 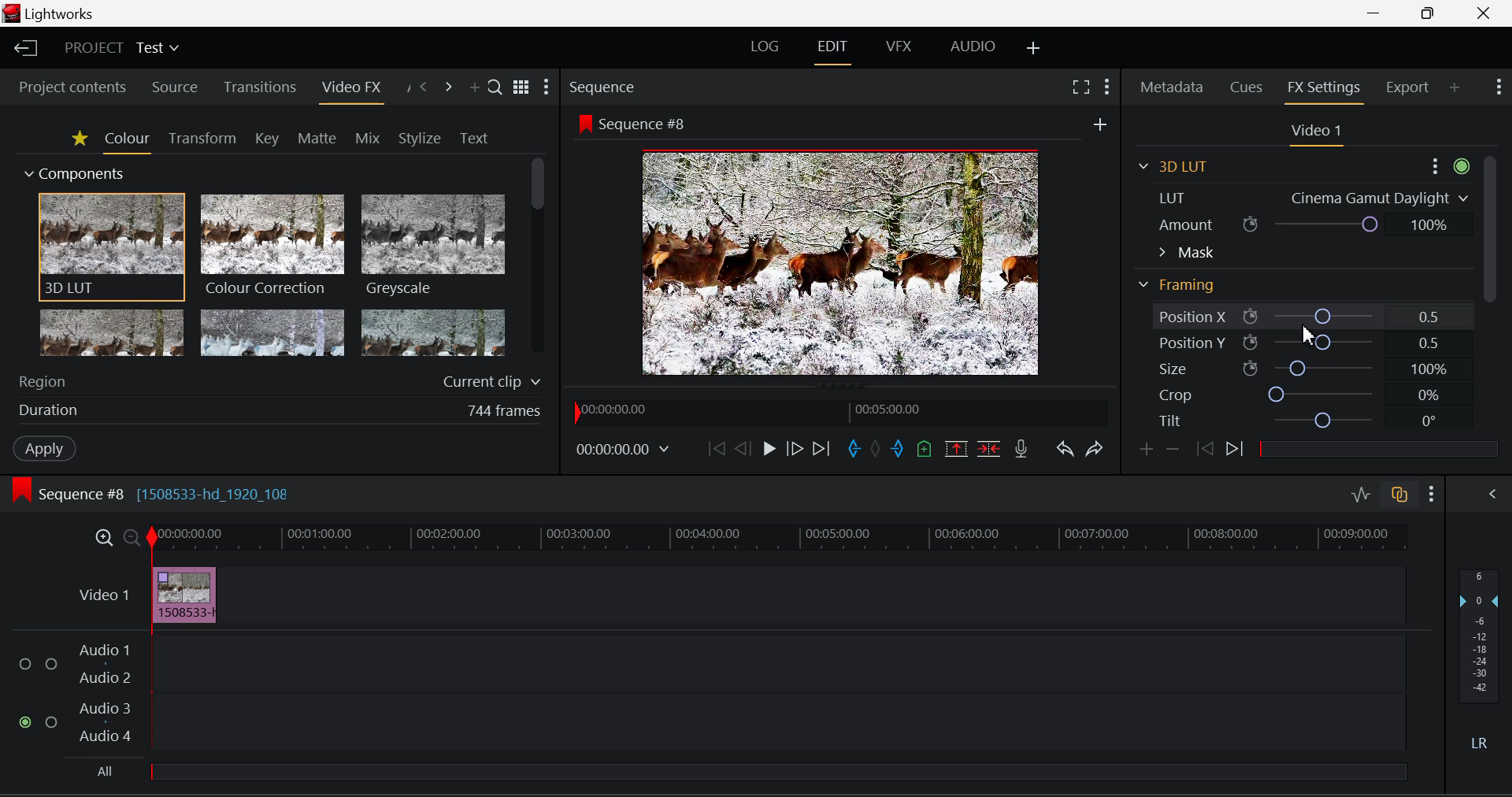 I want to click on Toggle auto track sync, so click(x=1399, y=495).